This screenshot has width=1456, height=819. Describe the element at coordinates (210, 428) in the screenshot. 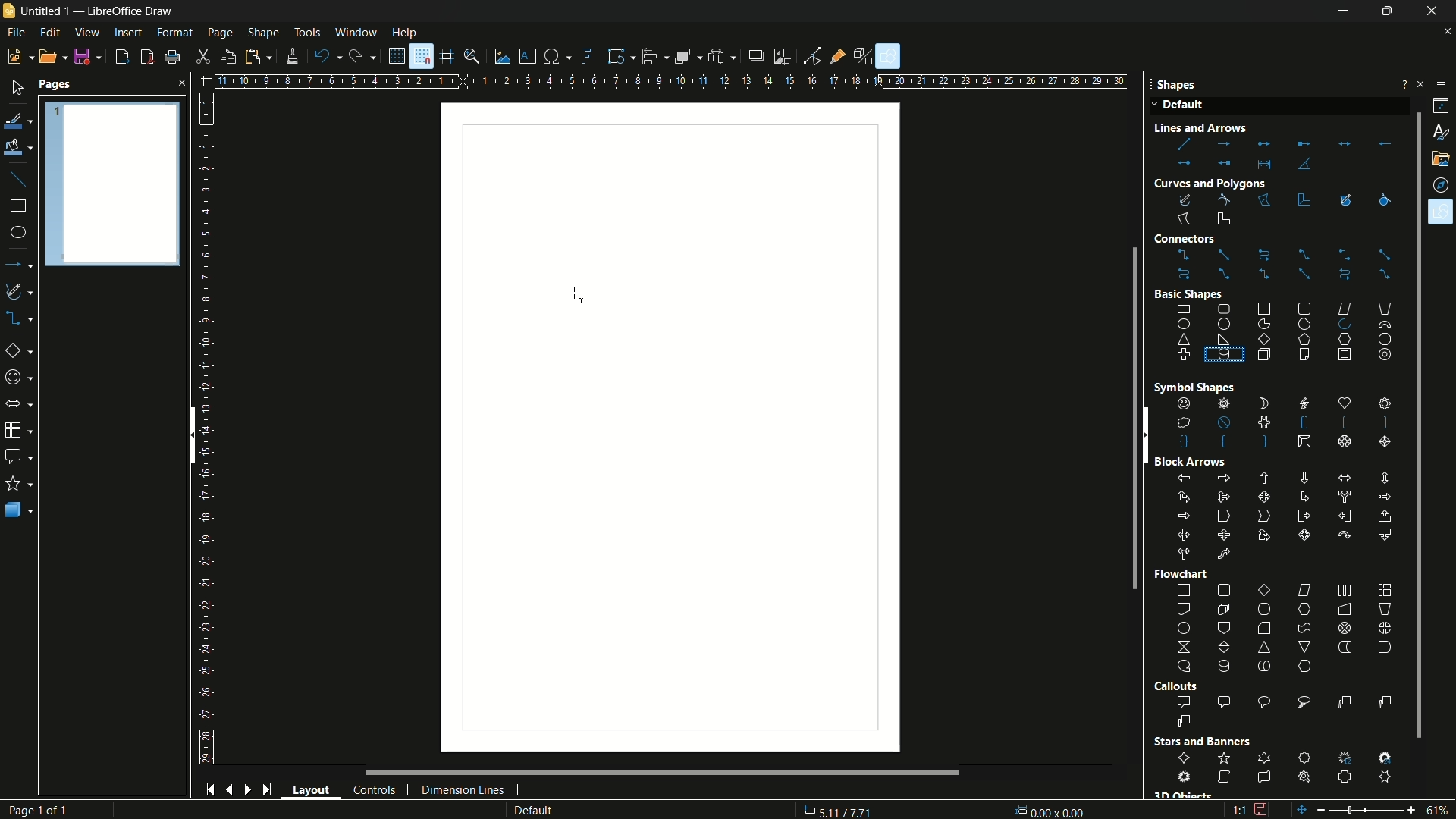

I see `length measuring scale` at that location.